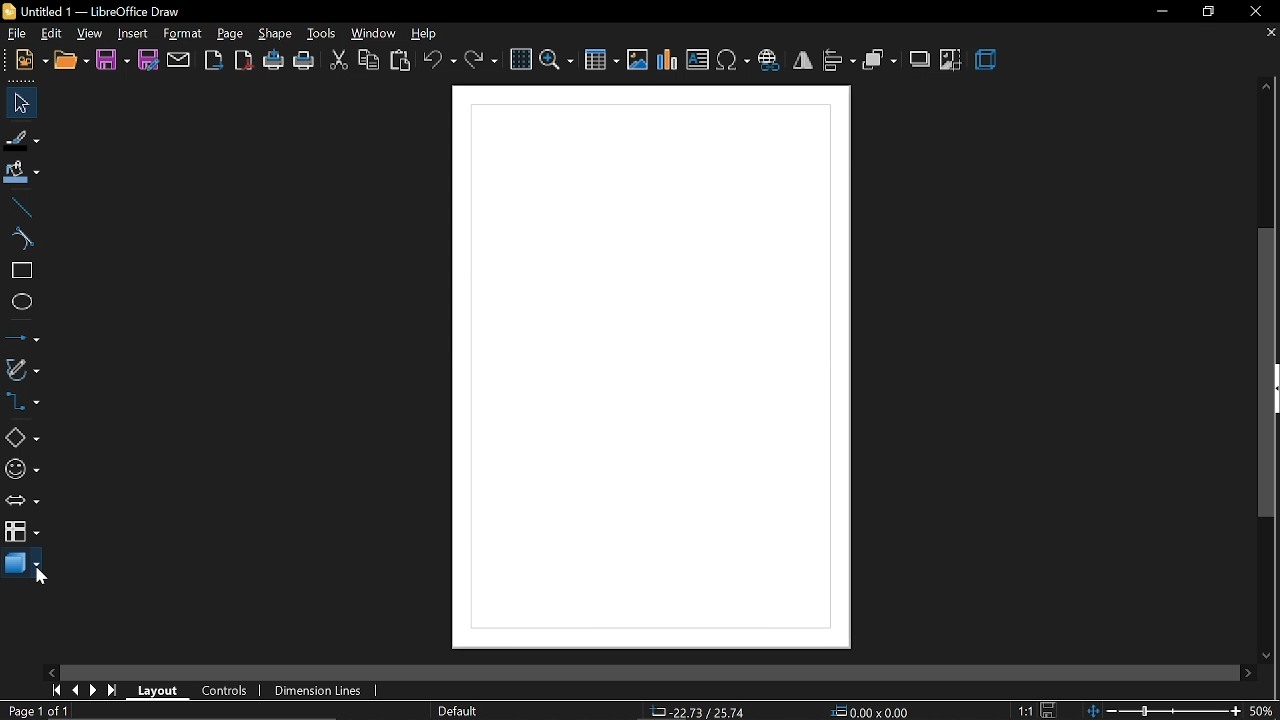  What do you see at coordinates (402, 62) in the screenshot?
I see `paste` at bounding box center [402, 62].